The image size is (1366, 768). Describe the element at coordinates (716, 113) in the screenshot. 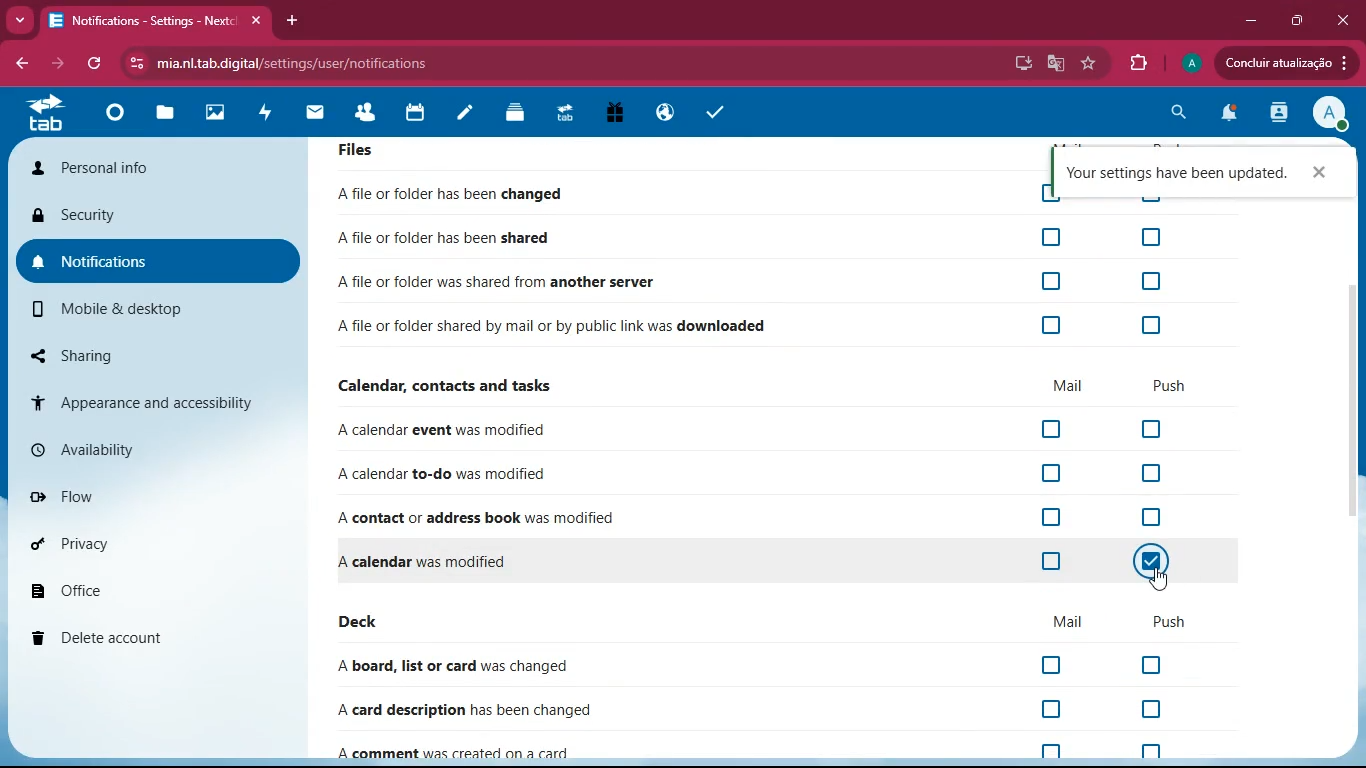

I see `task` at that location.